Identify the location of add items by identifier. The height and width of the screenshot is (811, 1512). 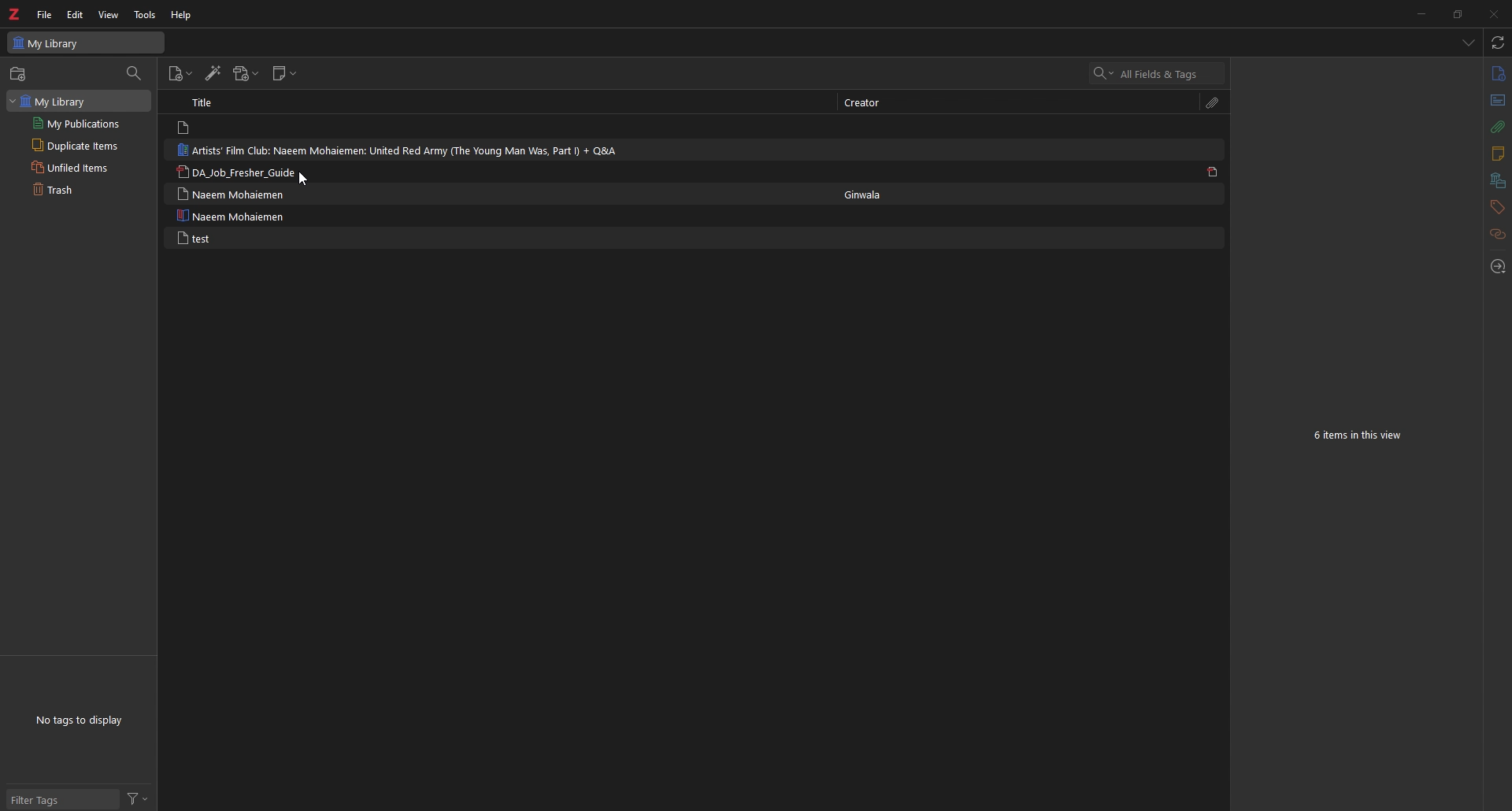
(213, 75).